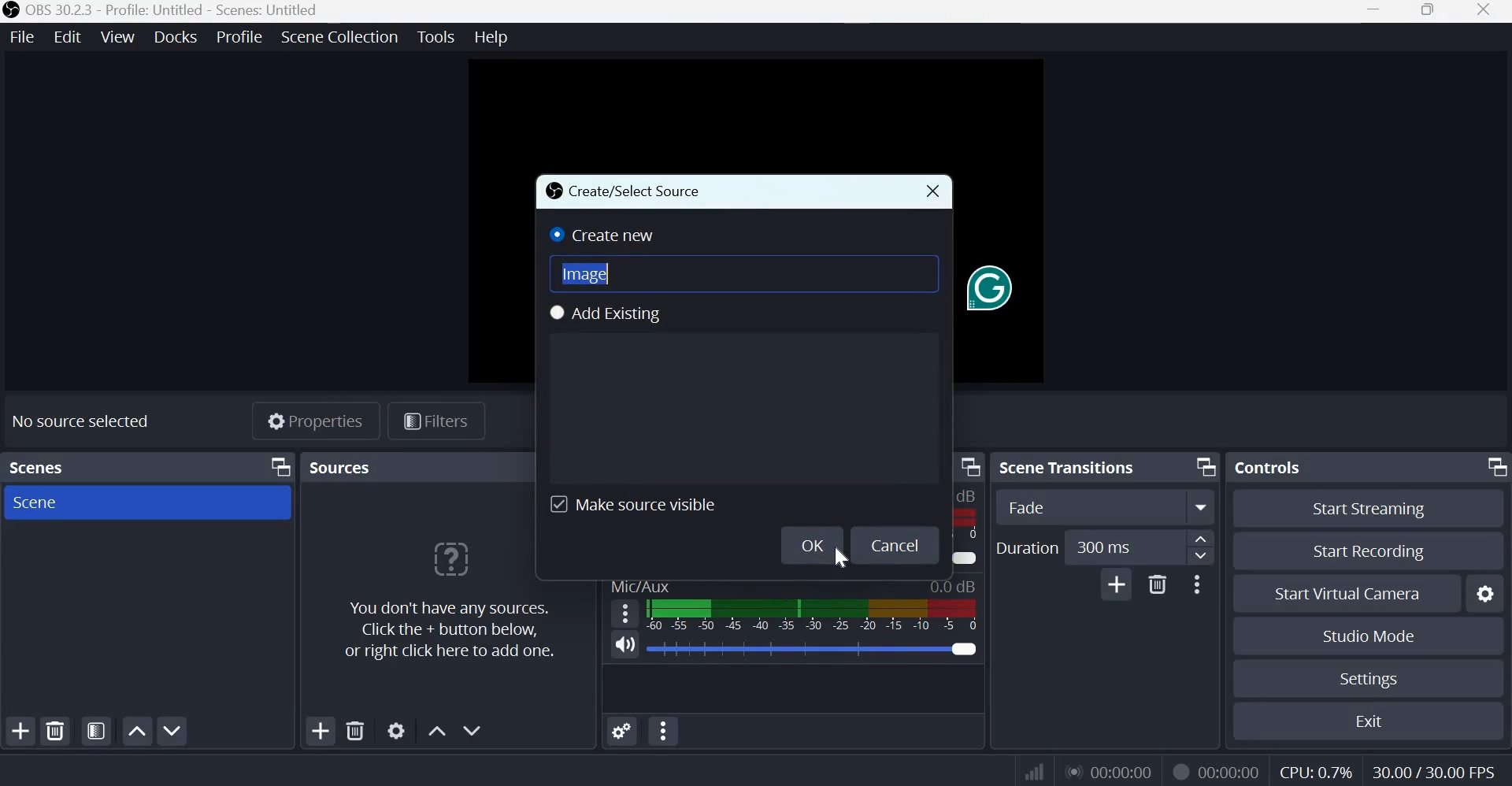 Image resolution: width=1512 pixels, height=786 pixels. Describe the element at coordinates (473, 731) in the screenshot. I see `Move source(s) down` at that location.